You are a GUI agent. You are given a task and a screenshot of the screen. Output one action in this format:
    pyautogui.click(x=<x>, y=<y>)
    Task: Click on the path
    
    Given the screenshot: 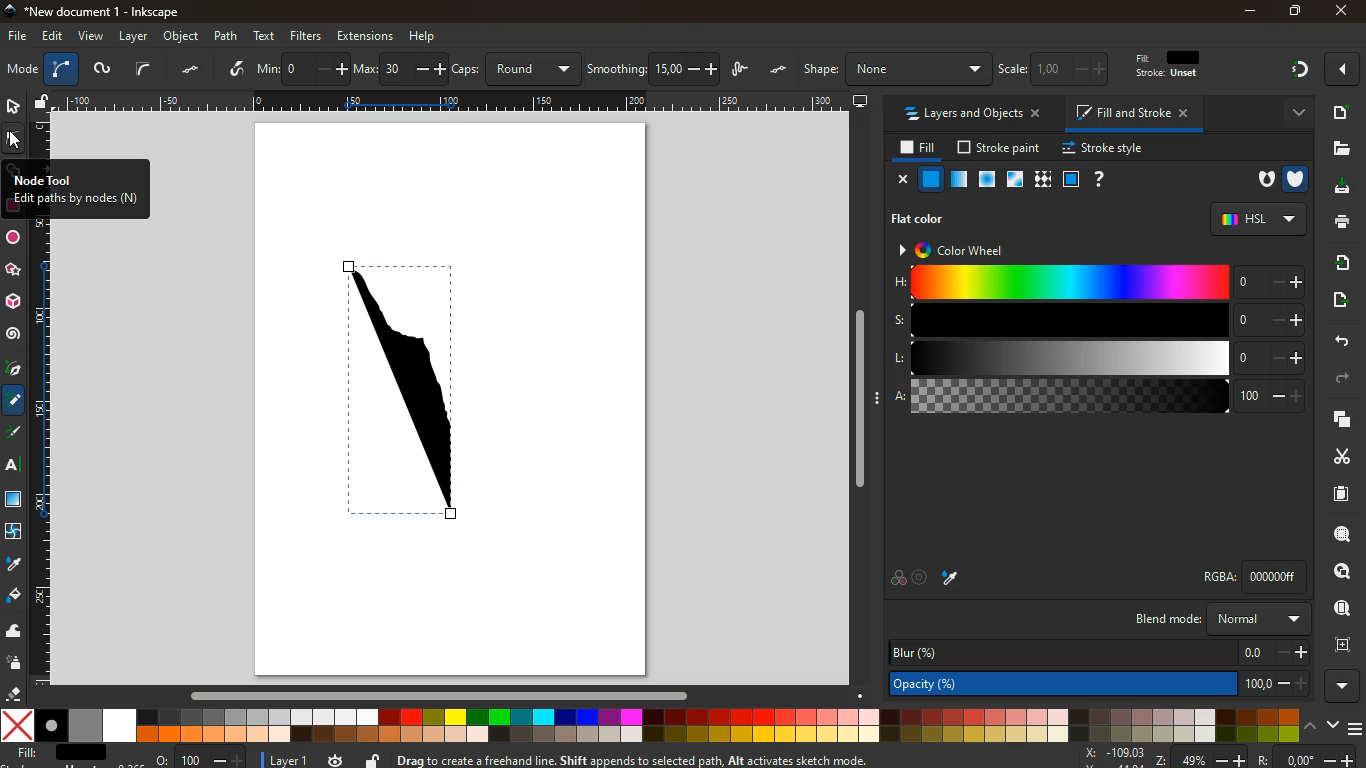 What is the action you would take?
    pyautogui.click(x=228, y=35)
    